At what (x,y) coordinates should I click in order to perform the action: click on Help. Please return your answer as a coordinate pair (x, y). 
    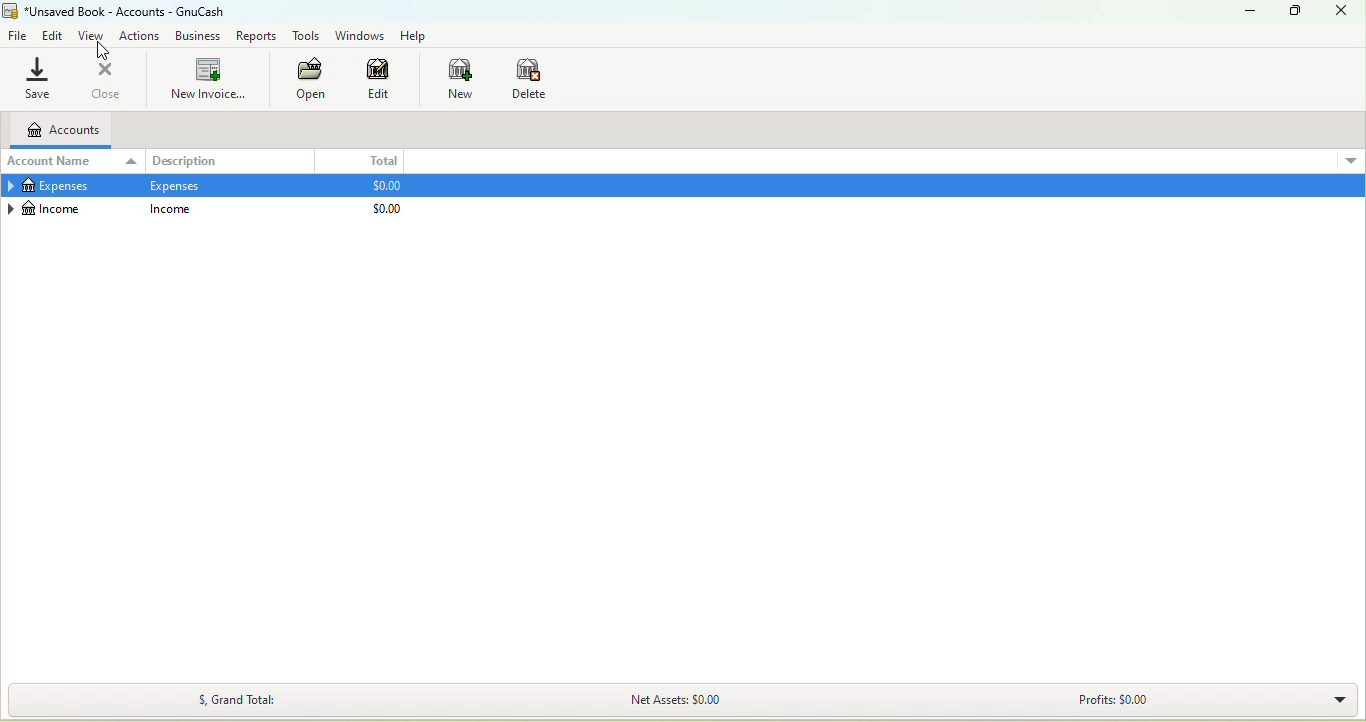
    Looking at the image, I should click on (415, 36).